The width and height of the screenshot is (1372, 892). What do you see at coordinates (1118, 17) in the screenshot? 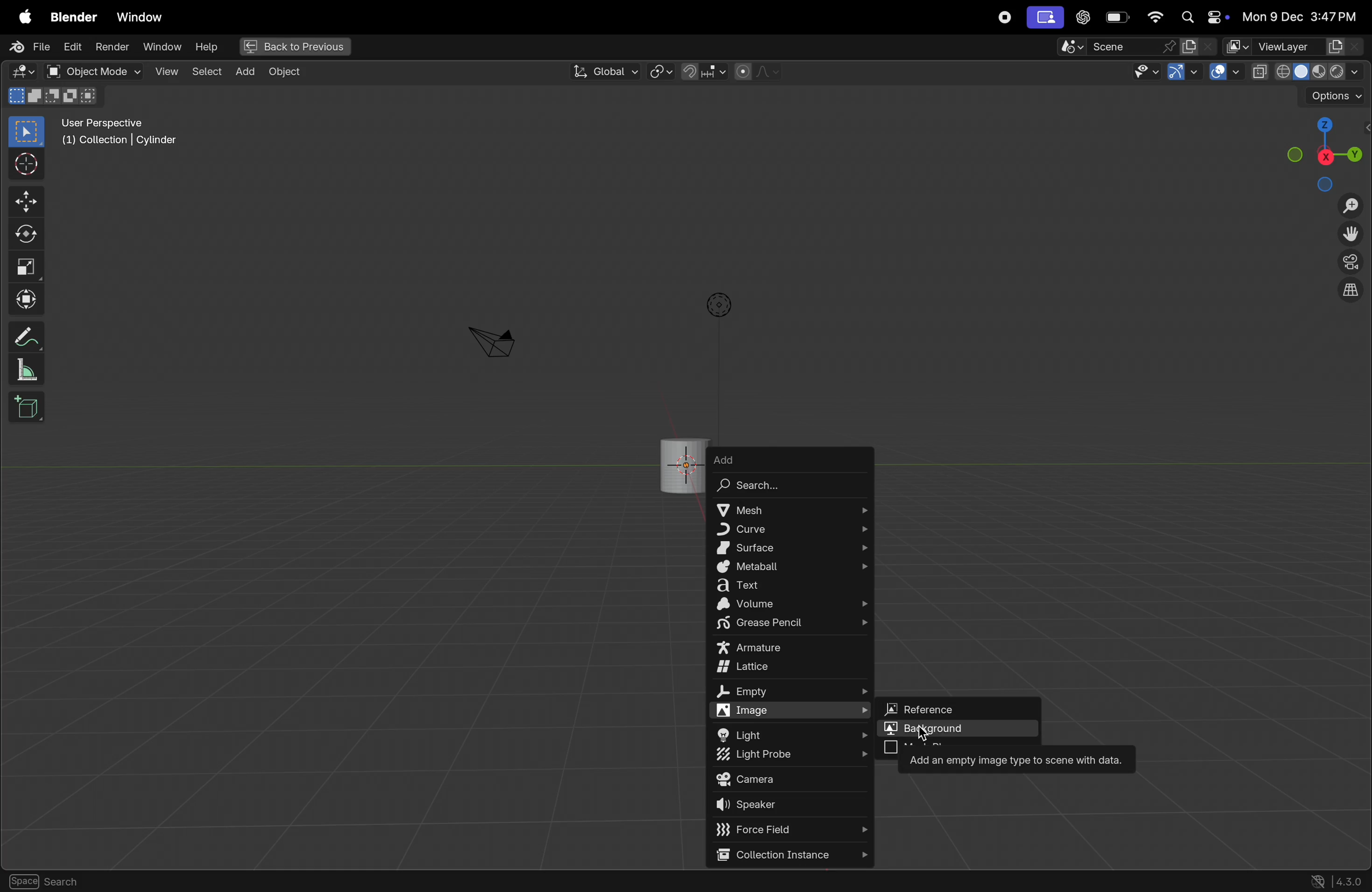
I see `battery` at bounding box center [1118, 17].